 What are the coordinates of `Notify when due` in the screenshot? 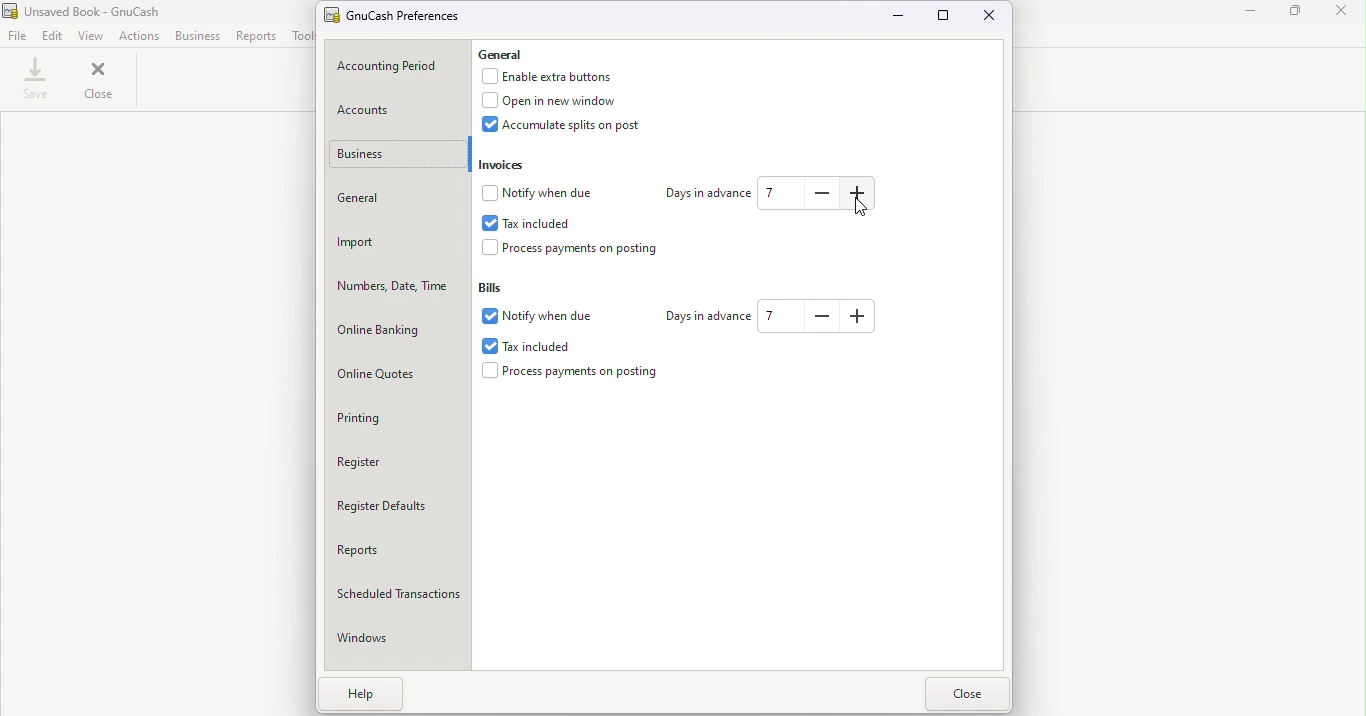 It's located at (542, 194).